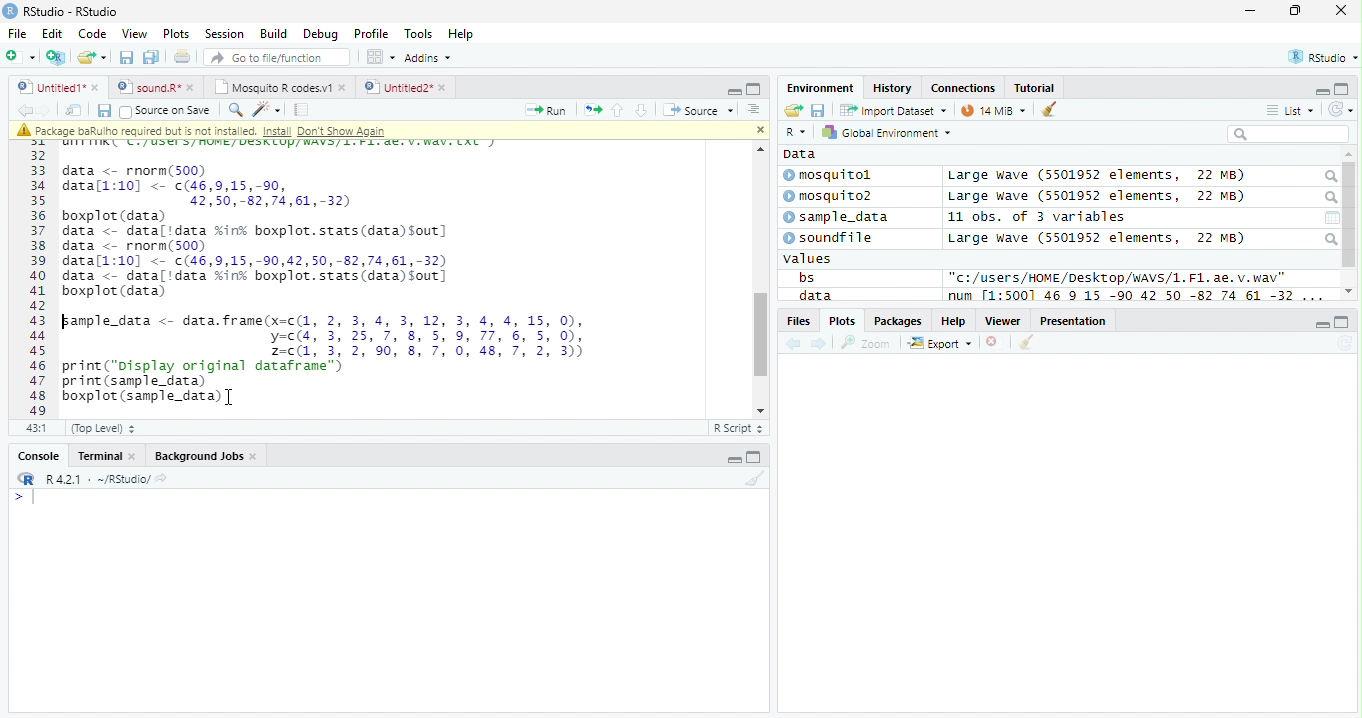  I want to click on Build, so click(274, 33).